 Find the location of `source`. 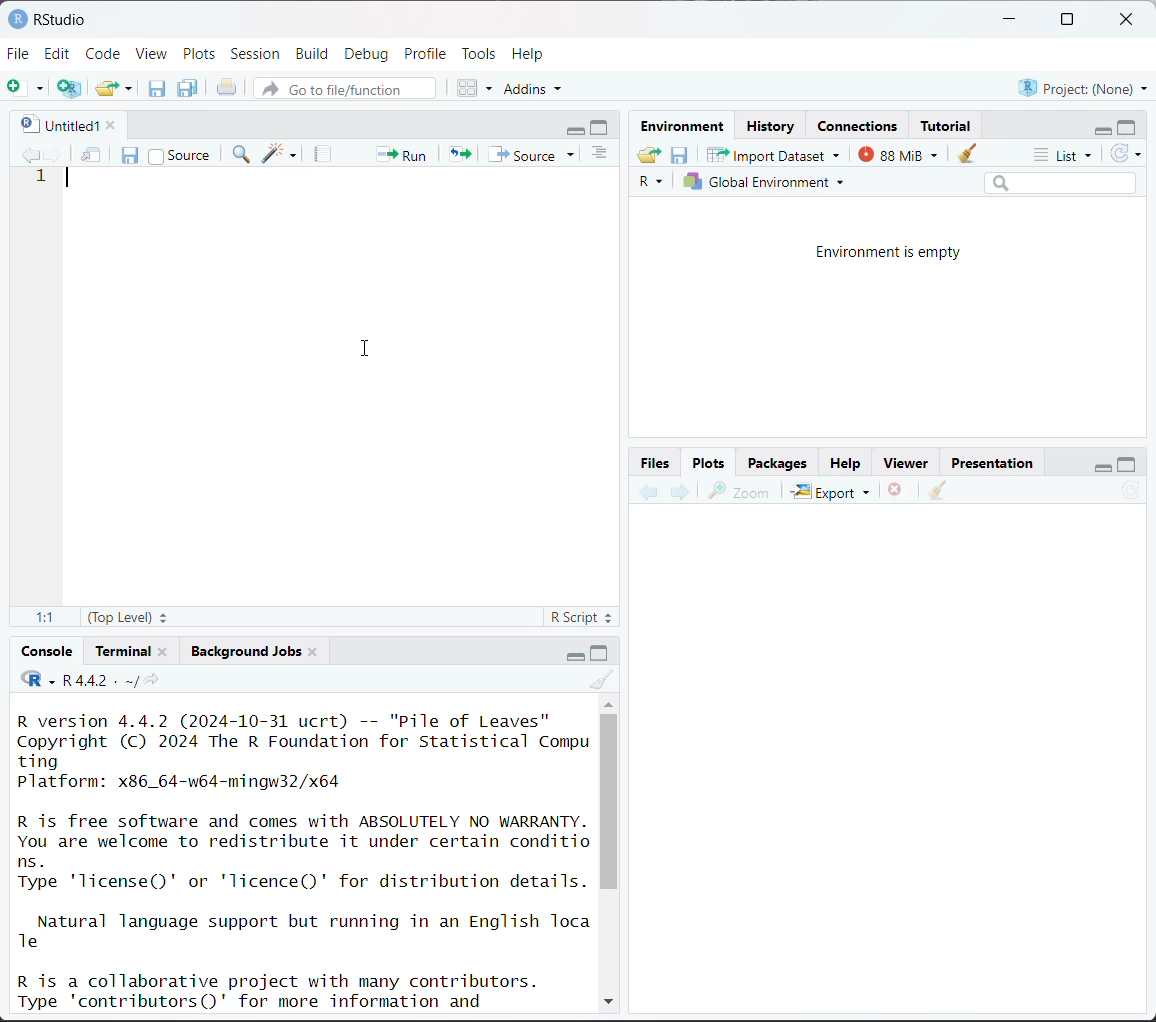

source is located at coordinates (179, 154).